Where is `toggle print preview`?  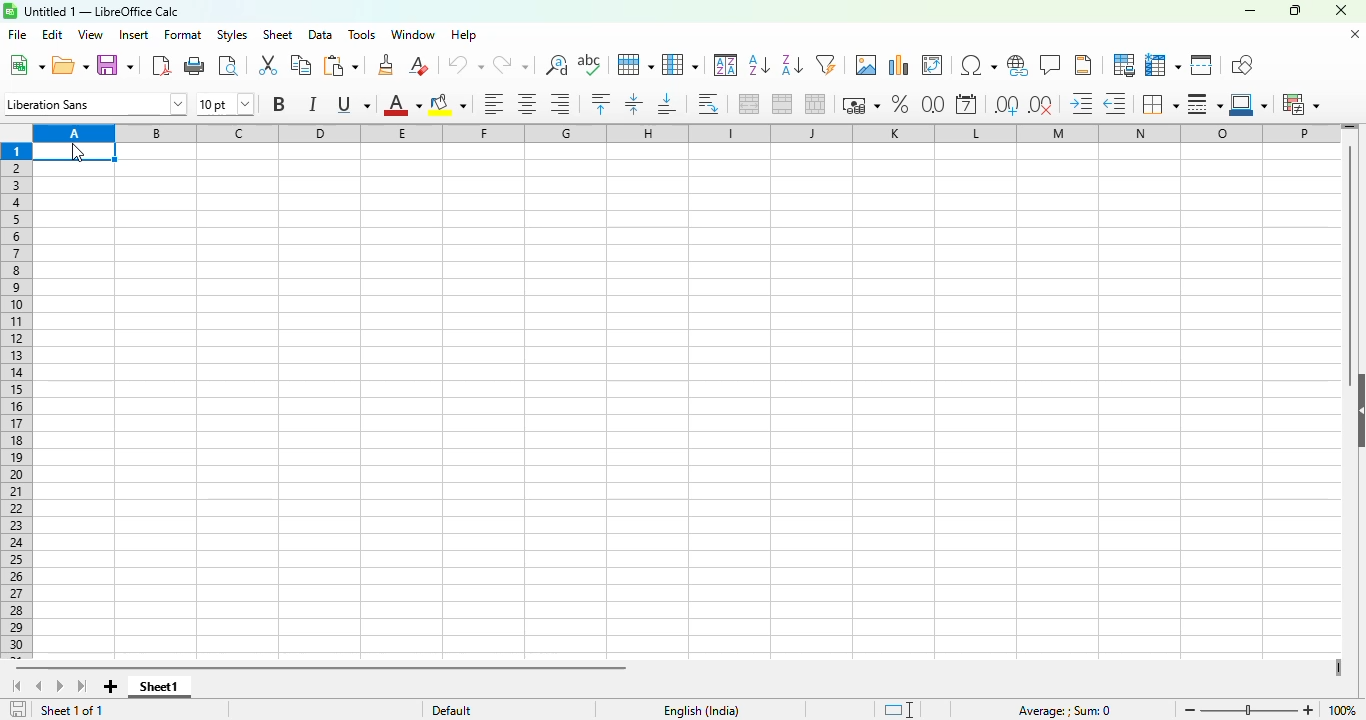 toggle print preview is located at coordinates (229, 66).